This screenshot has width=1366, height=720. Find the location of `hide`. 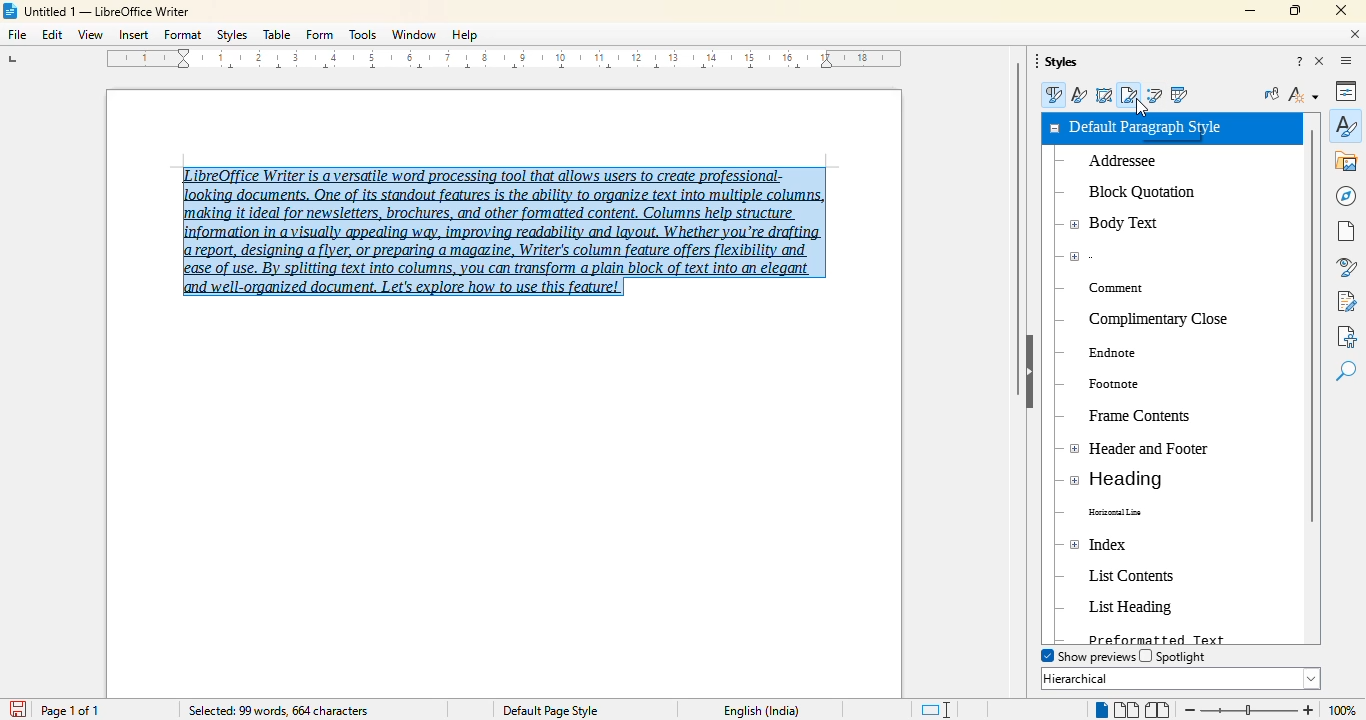

hide is located at coordinates (1031, 371).